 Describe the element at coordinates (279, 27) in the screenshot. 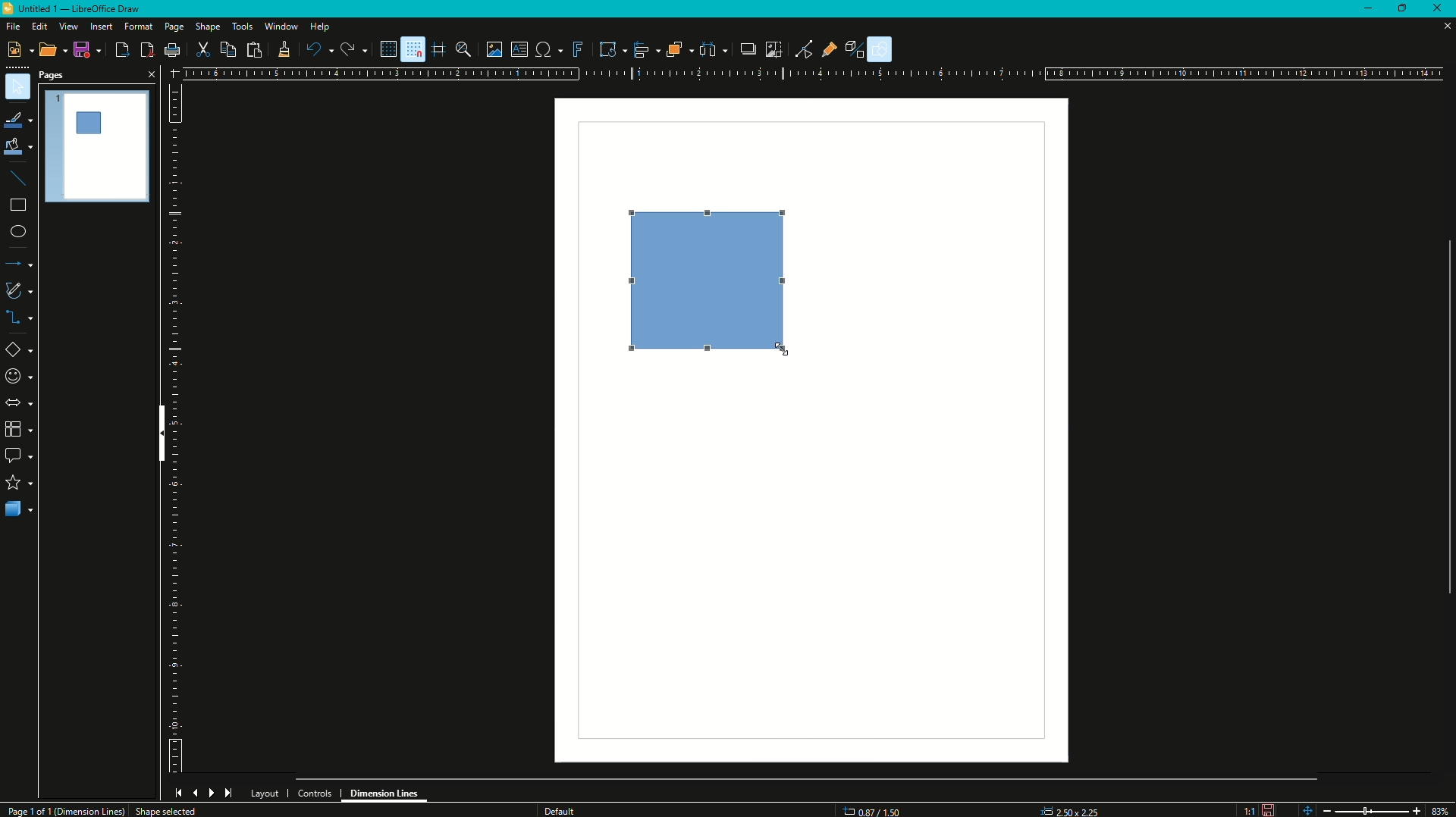

I see `Window` at that location.